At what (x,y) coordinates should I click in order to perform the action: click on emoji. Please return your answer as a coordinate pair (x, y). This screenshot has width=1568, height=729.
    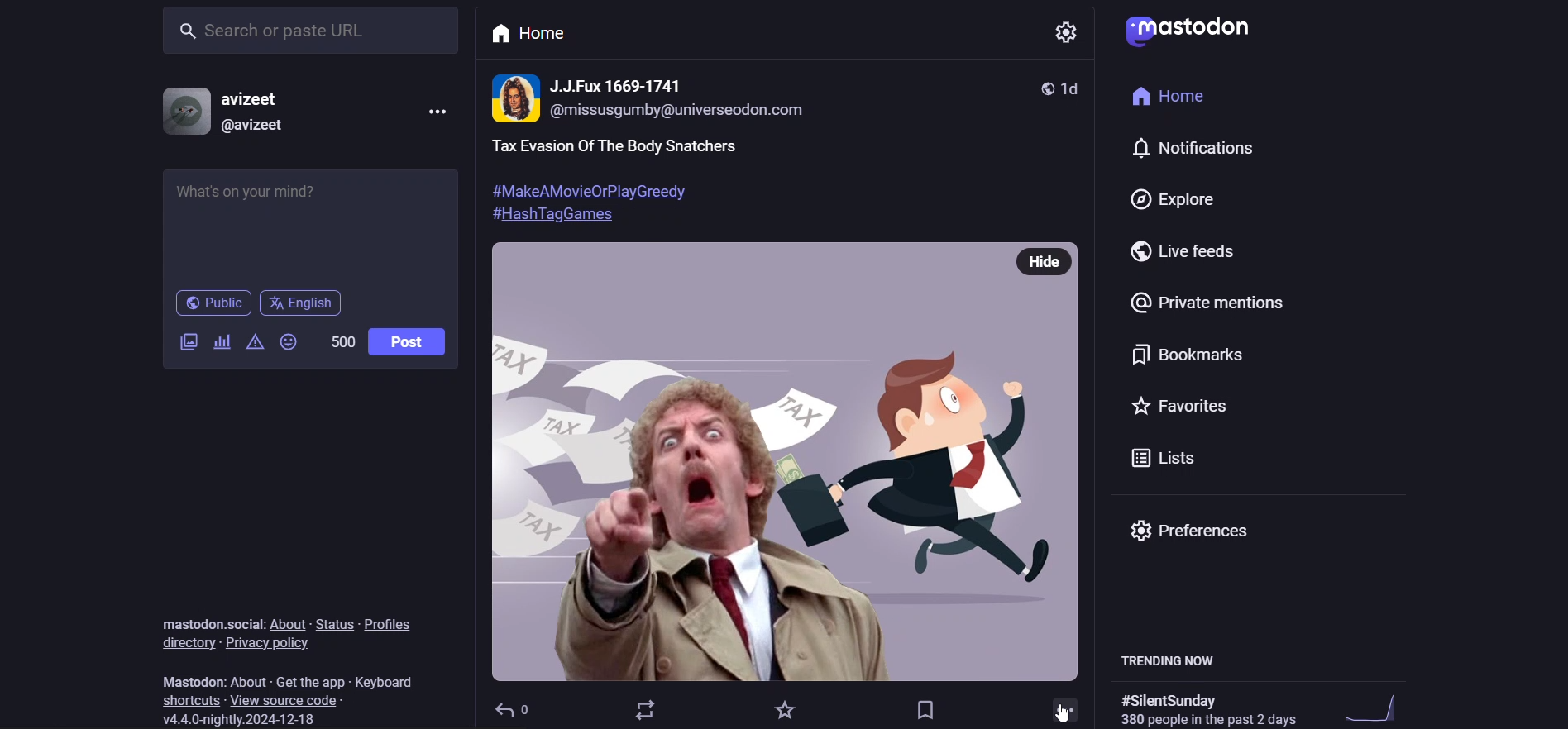
    Looking at the image, I should click on (289, 342).